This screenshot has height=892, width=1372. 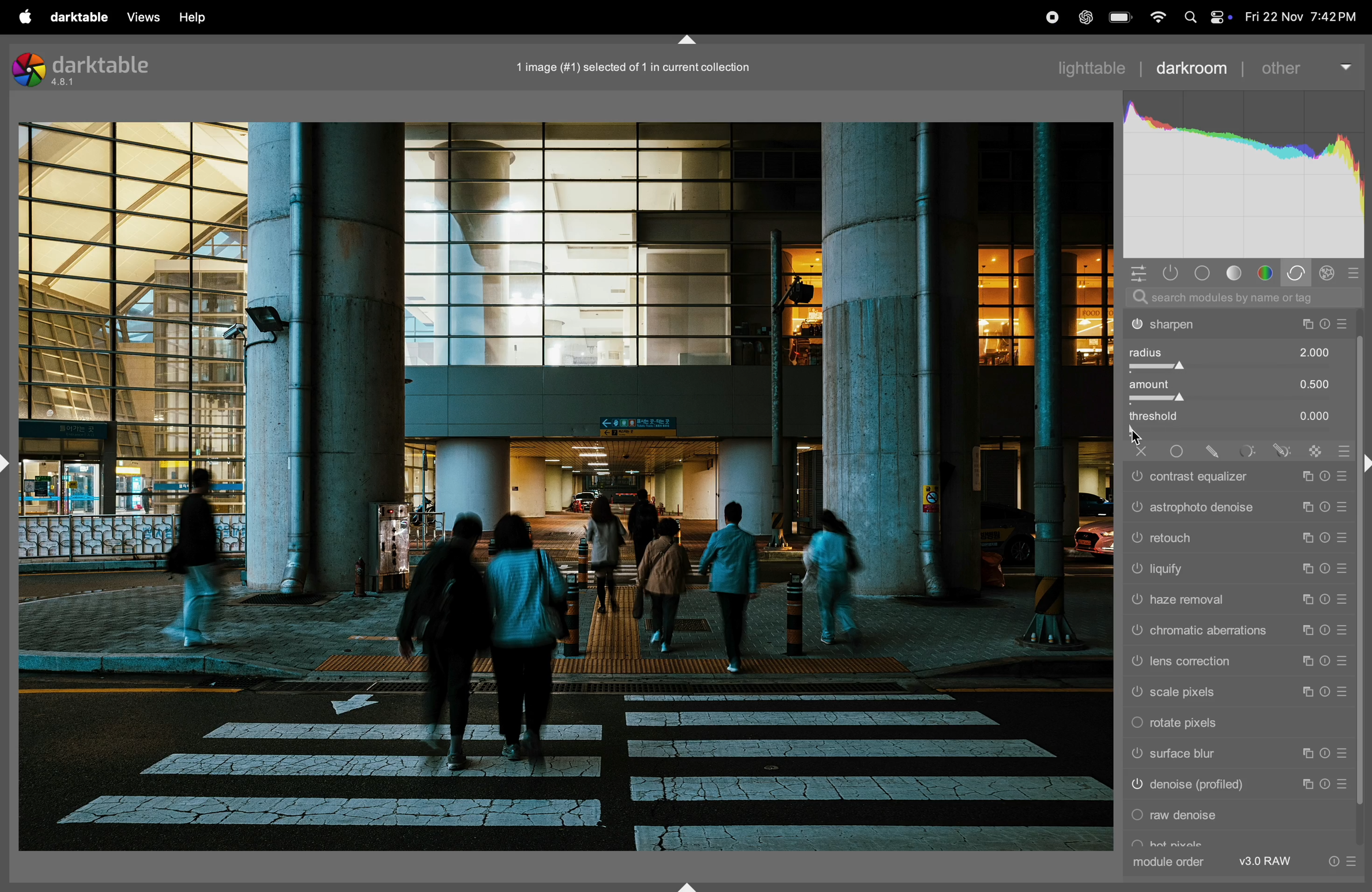 I want to click on chatgpt, so click(x=1084, y=17).